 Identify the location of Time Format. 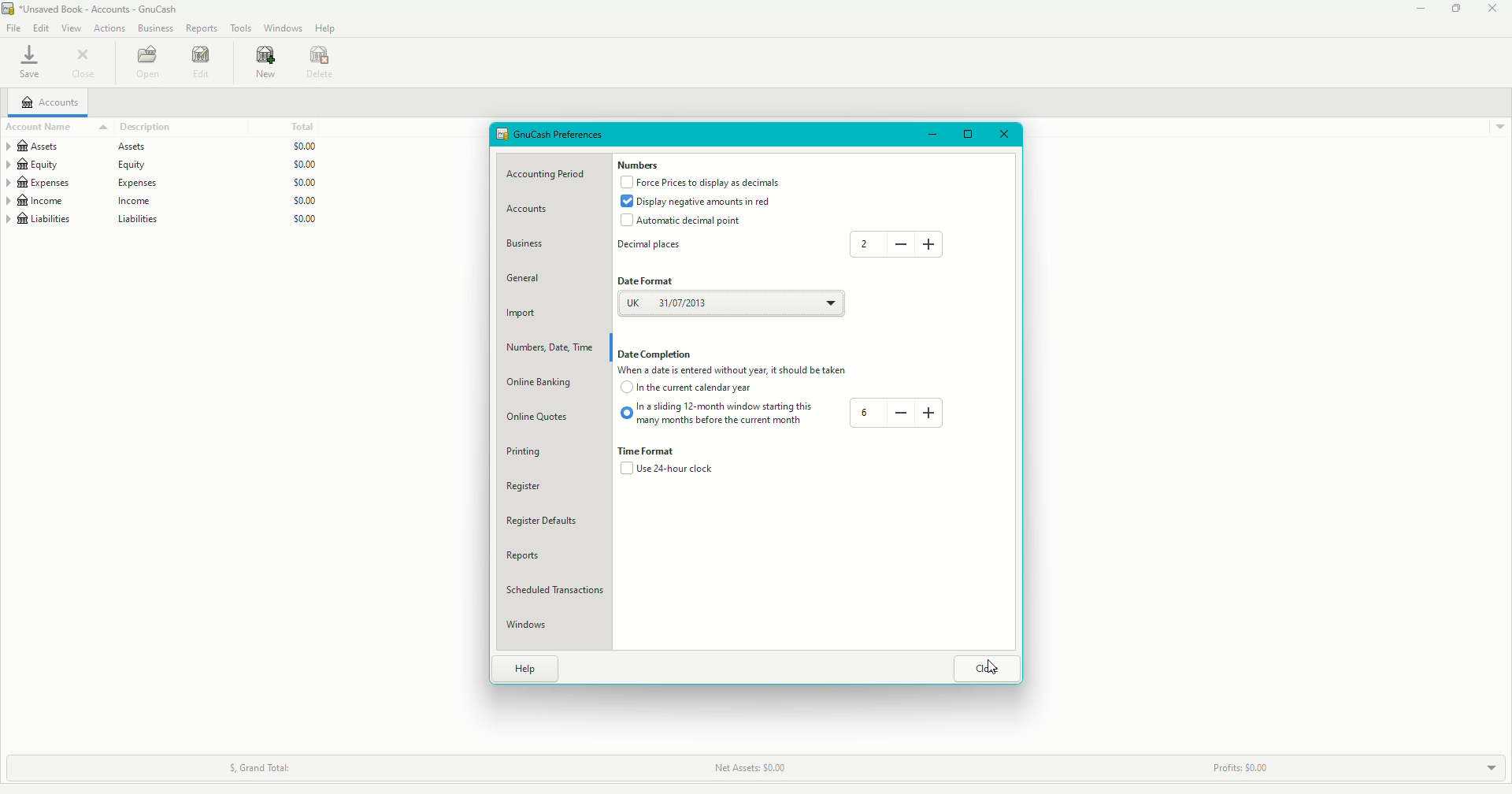
(654, 452).